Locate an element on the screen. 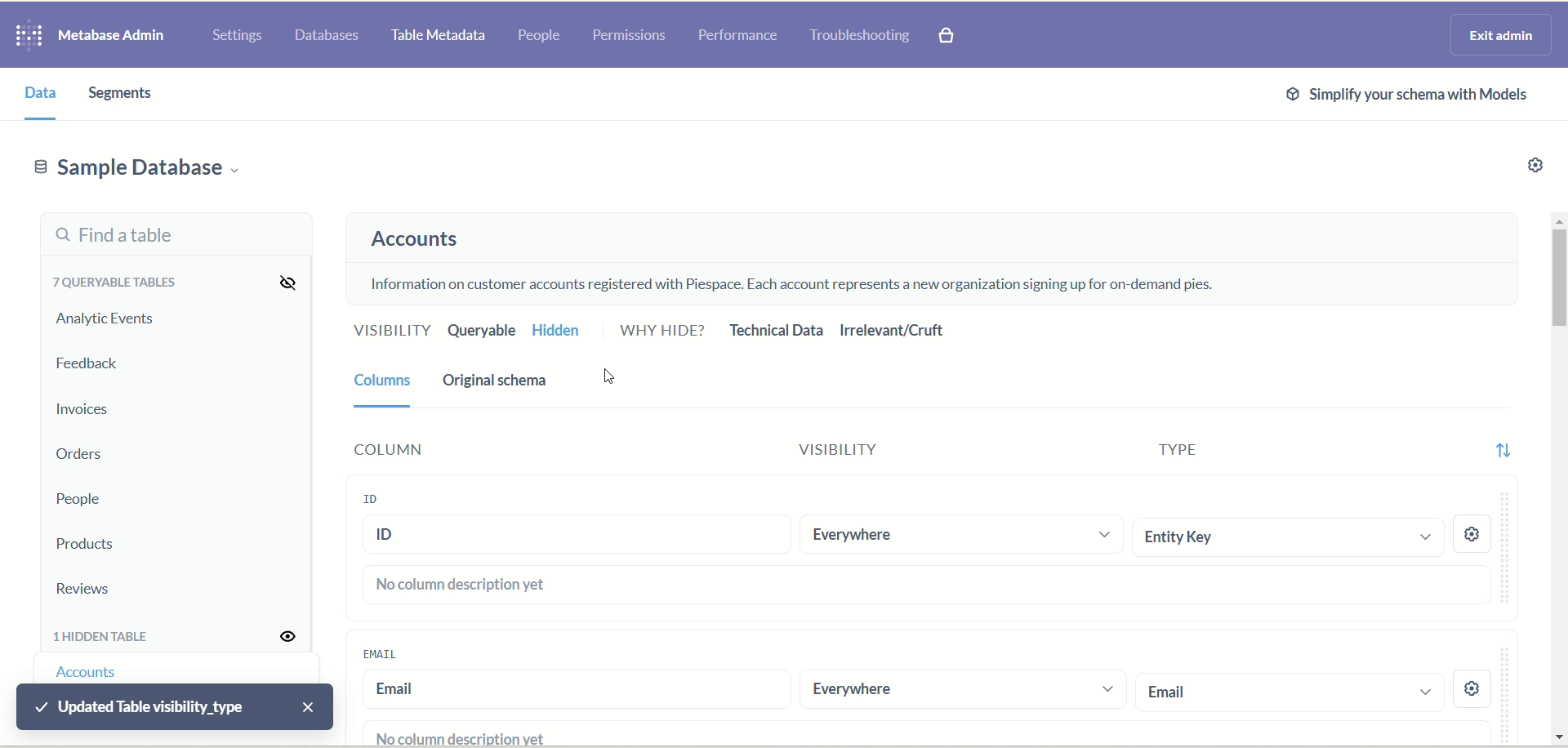 The image size is (1568, 748). products is located at coordinates (91, 544).